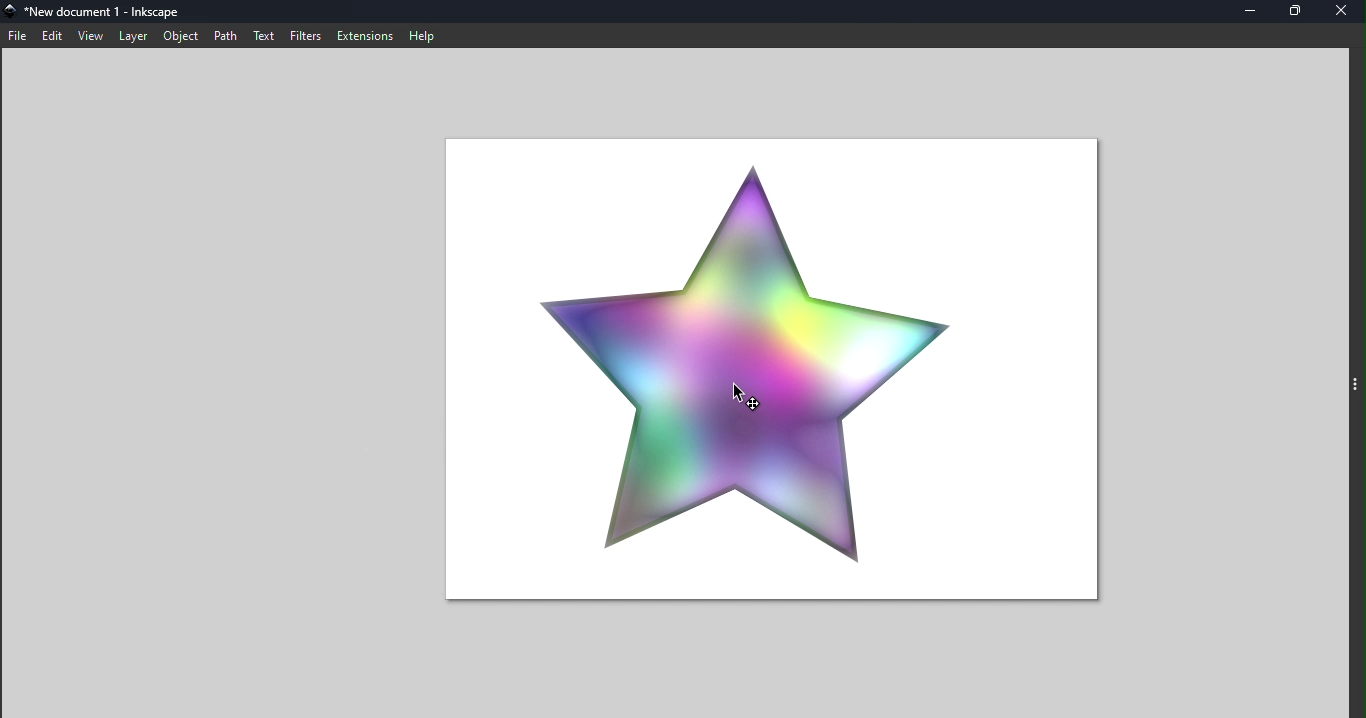 Image resolution: width=1366 pixels, height=718 pixels. I want to click on Object, so click(180, 36).